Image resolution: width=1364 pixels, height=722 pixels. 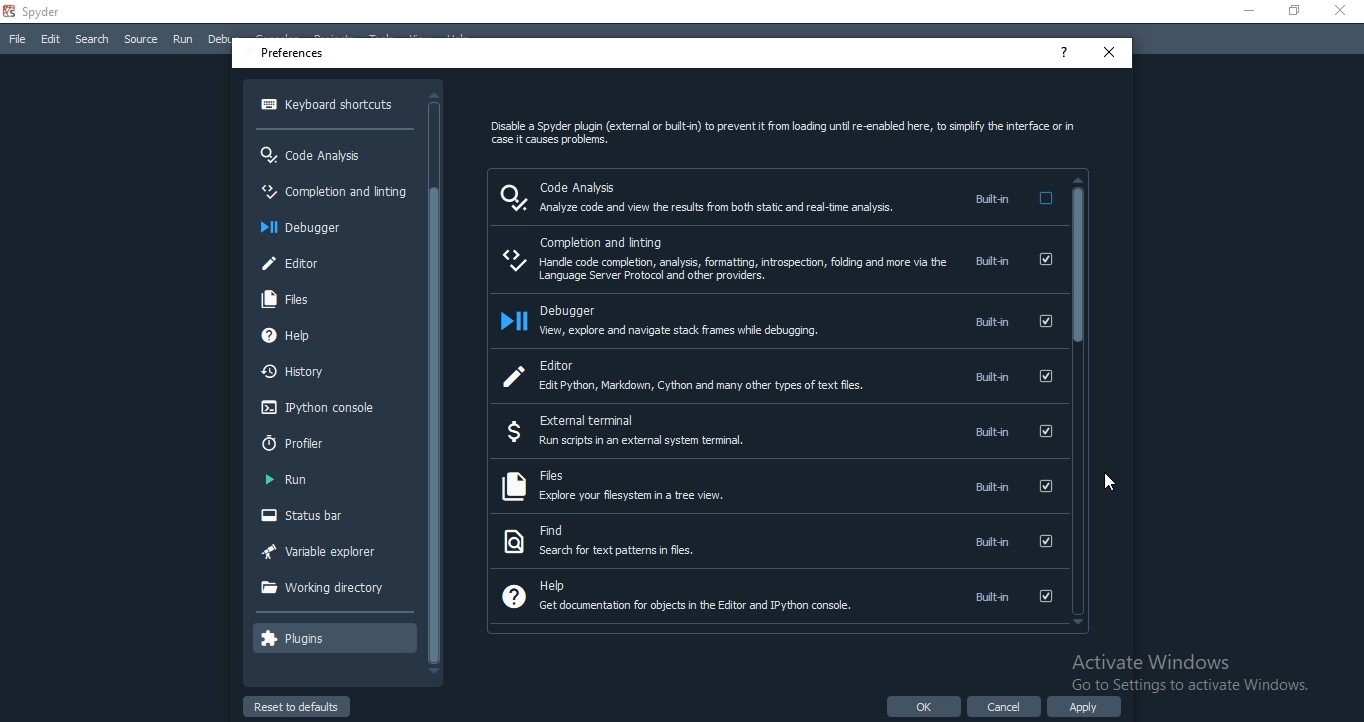 I want to click on Ipython console, so click(x=327, y=409).